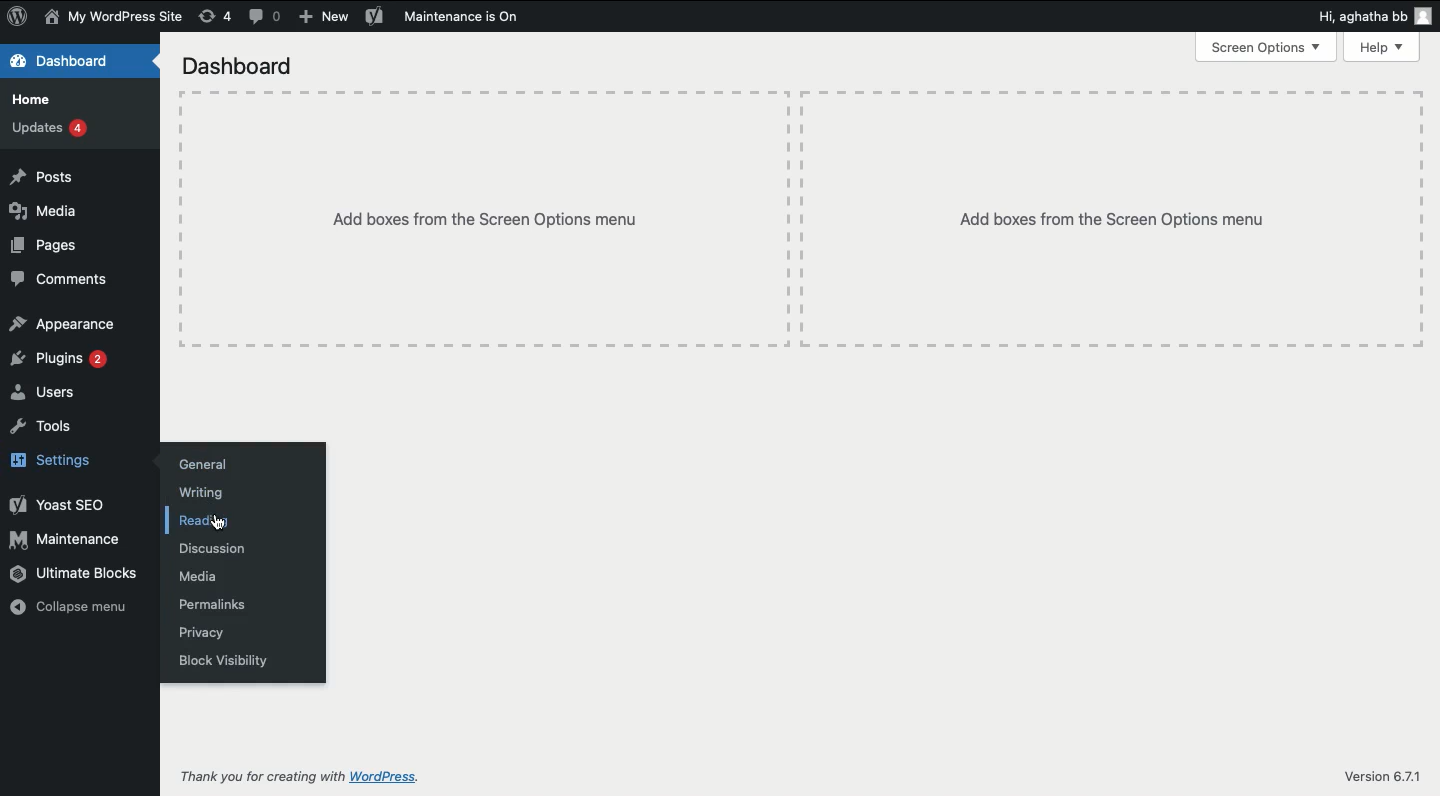 The width and height of the screenshot is (1440, 796). What do you see at coordinates (223, 660) in the screenshot?
I see `block visibility ` at bounding box center [223, 660].